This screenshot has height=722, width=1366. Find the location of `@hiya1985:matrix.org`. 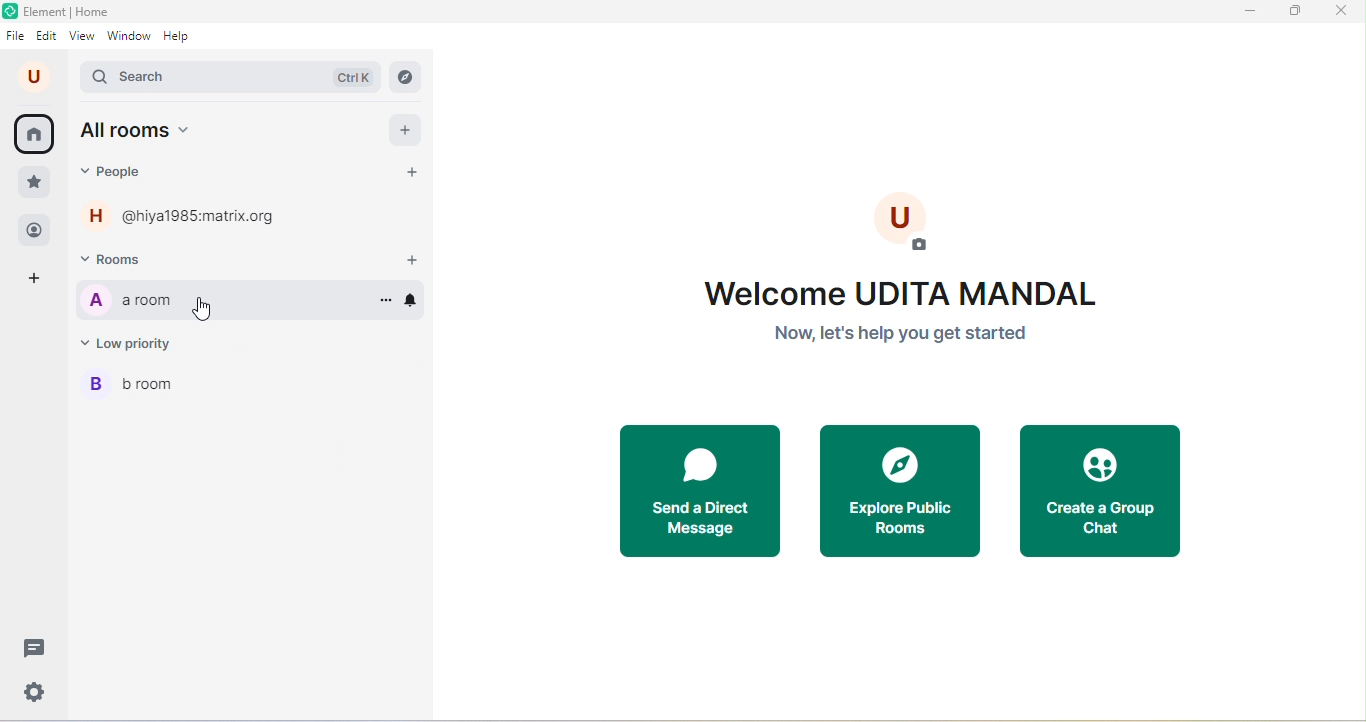

@hiya1985:matrix.org is located at coordinates (187, 215).